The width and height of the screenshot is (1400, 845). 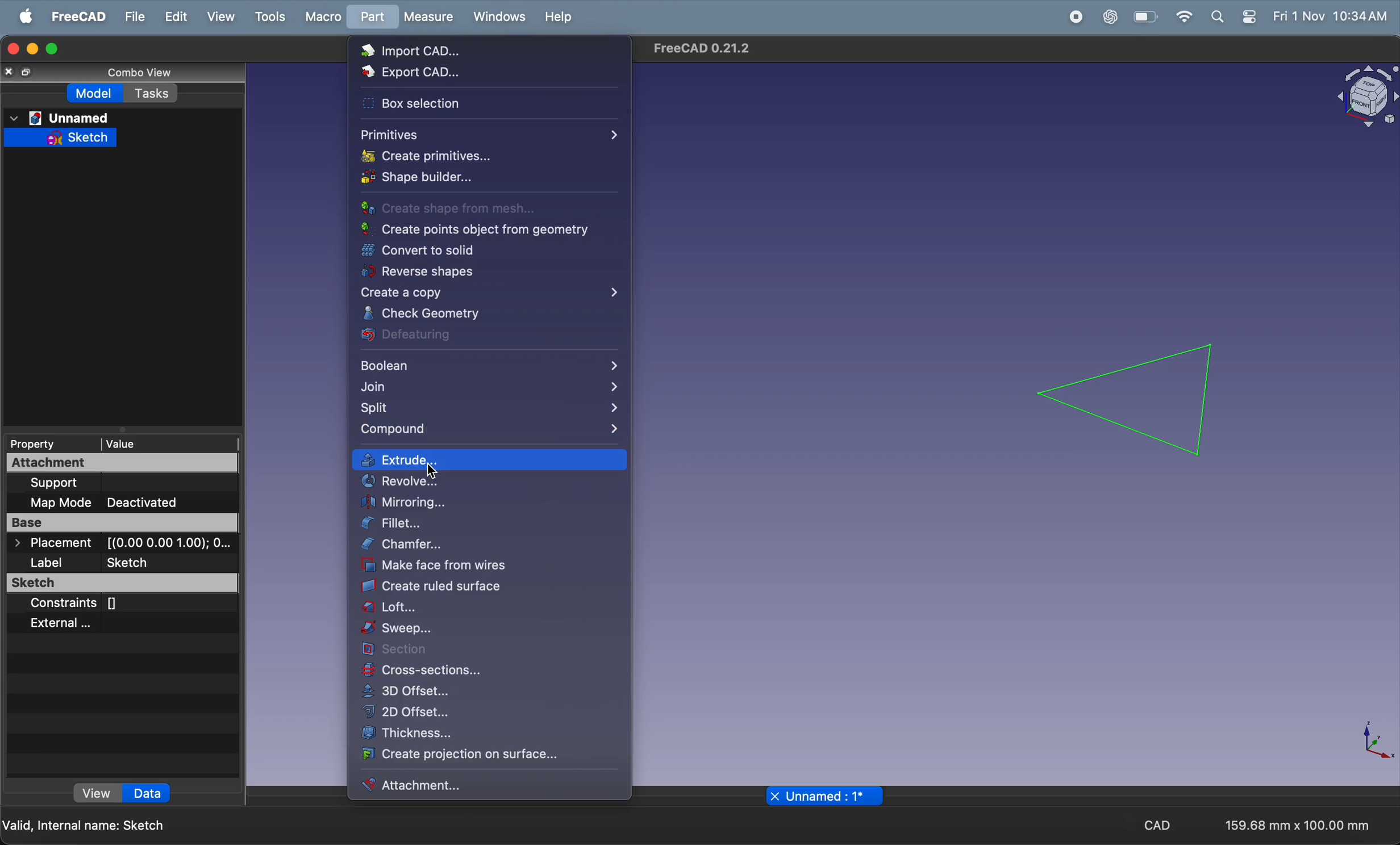 I want to click on model, so click(x=97, y=93).